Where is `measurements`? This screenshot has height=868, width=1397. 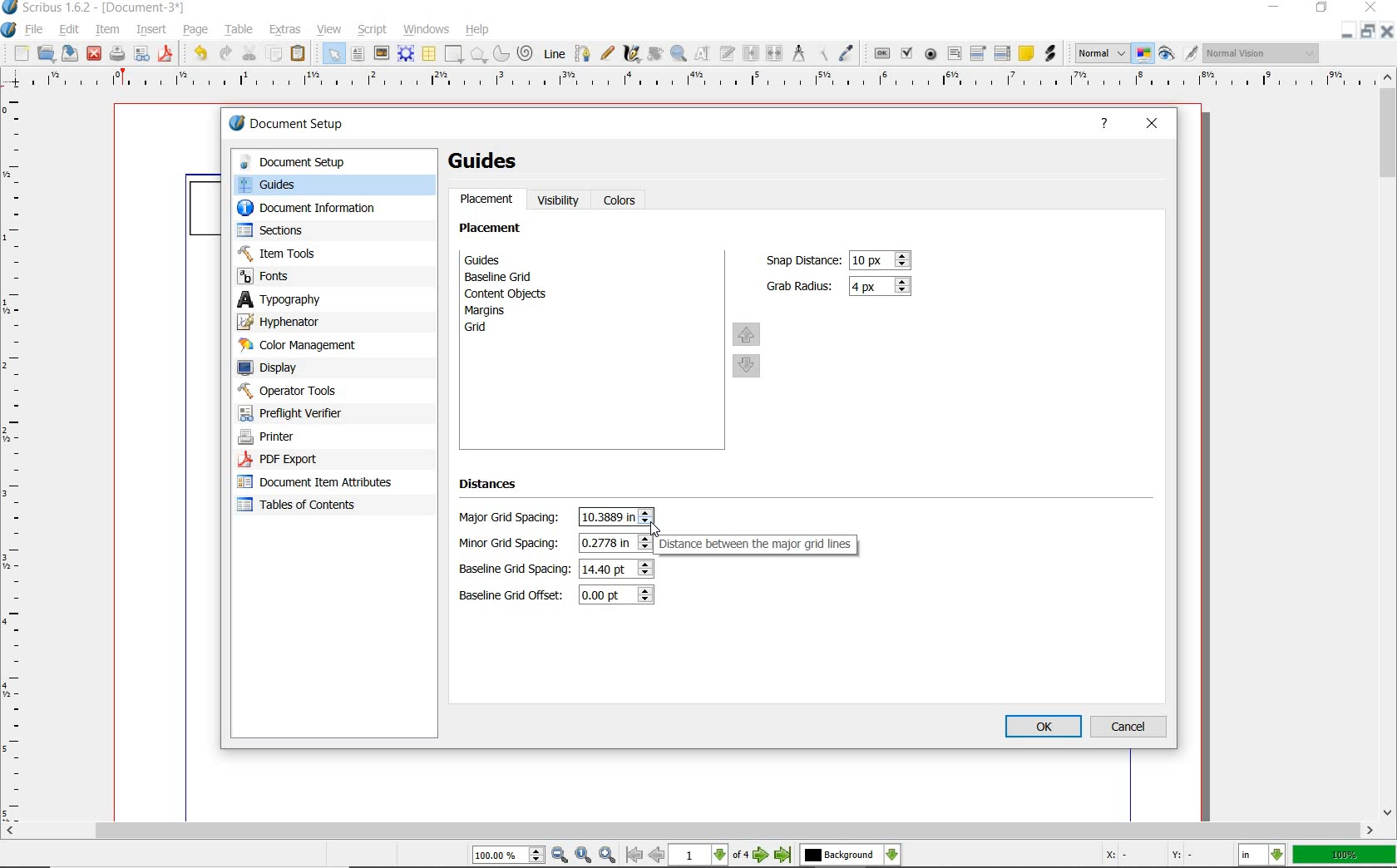
measurements is located at coordinates (797, 52).